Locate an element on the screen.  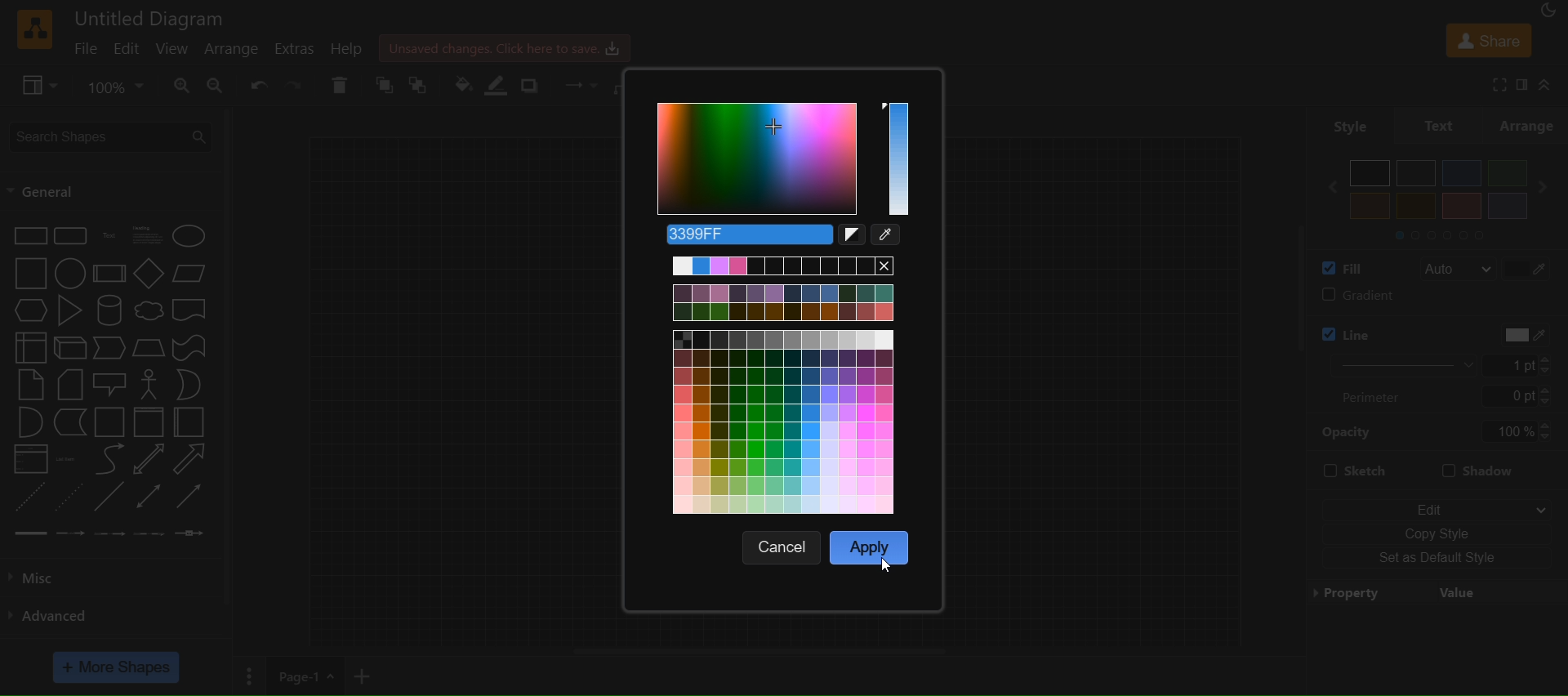
cube is located at coordinates (70, 349).